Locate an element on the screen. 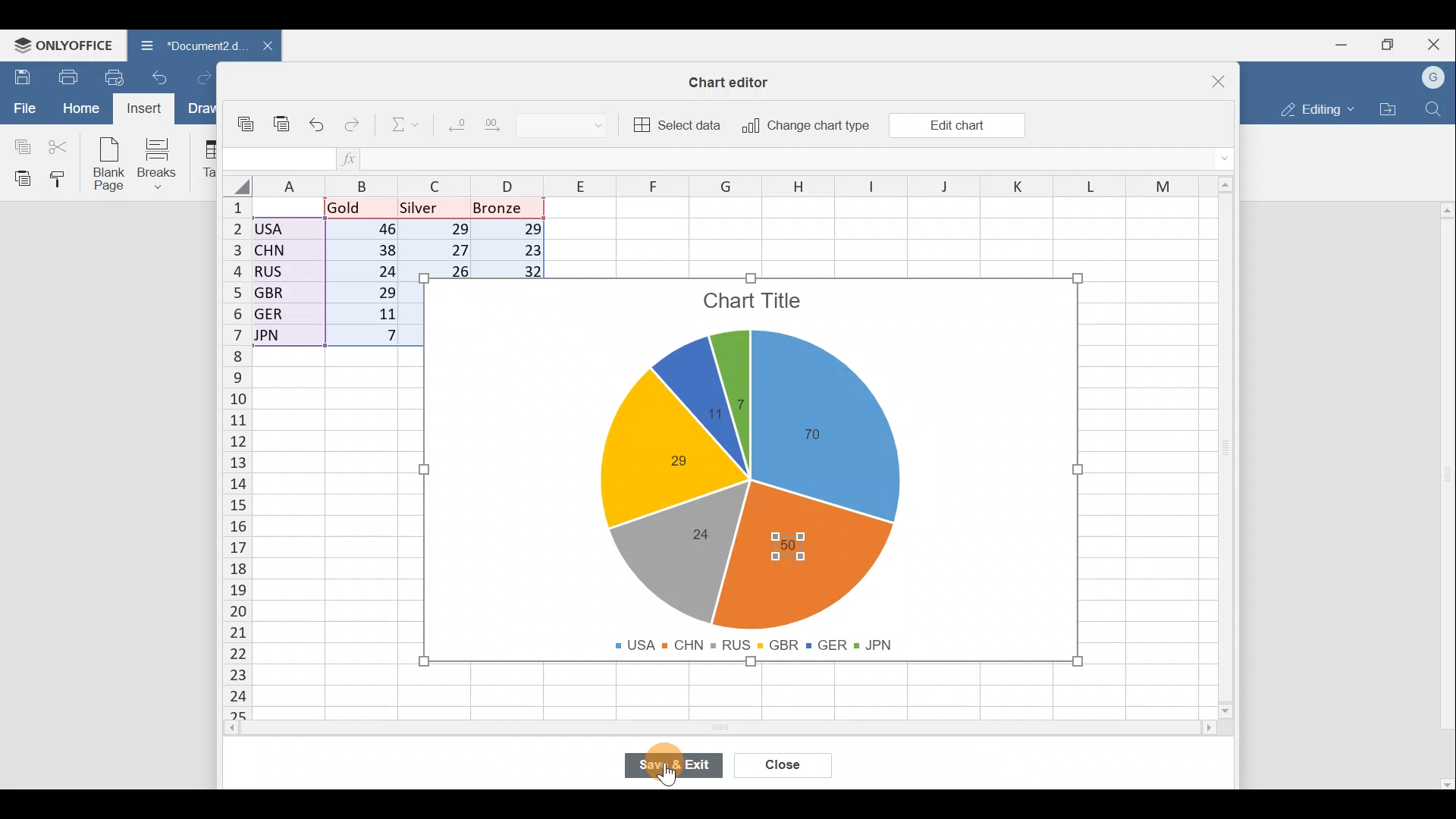 This screenshot has height=819, width=1456. Chart legends is located at coordinates (761, 642).